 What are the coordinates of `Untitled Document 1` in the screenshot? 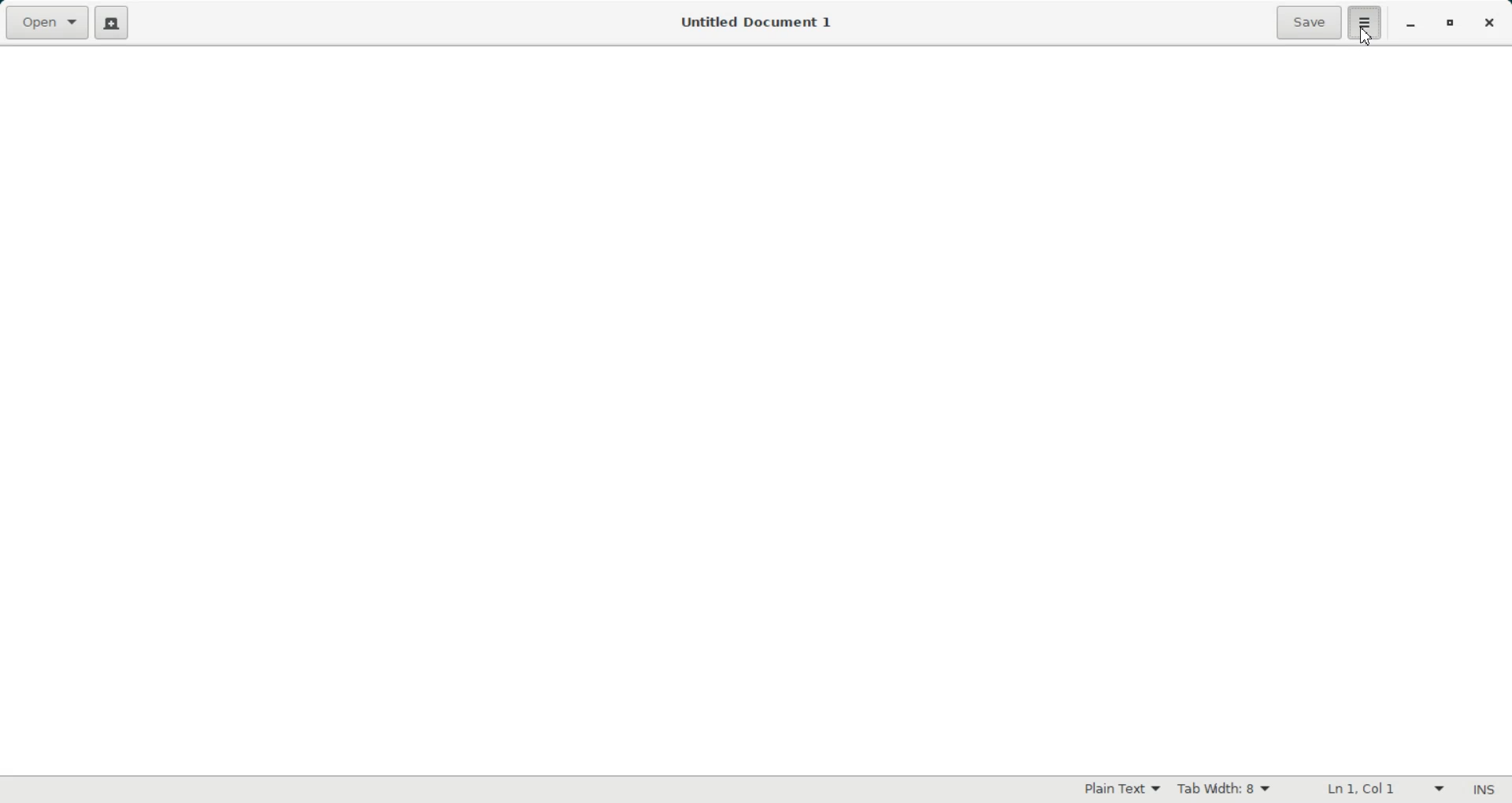 It's located at (758, 24).